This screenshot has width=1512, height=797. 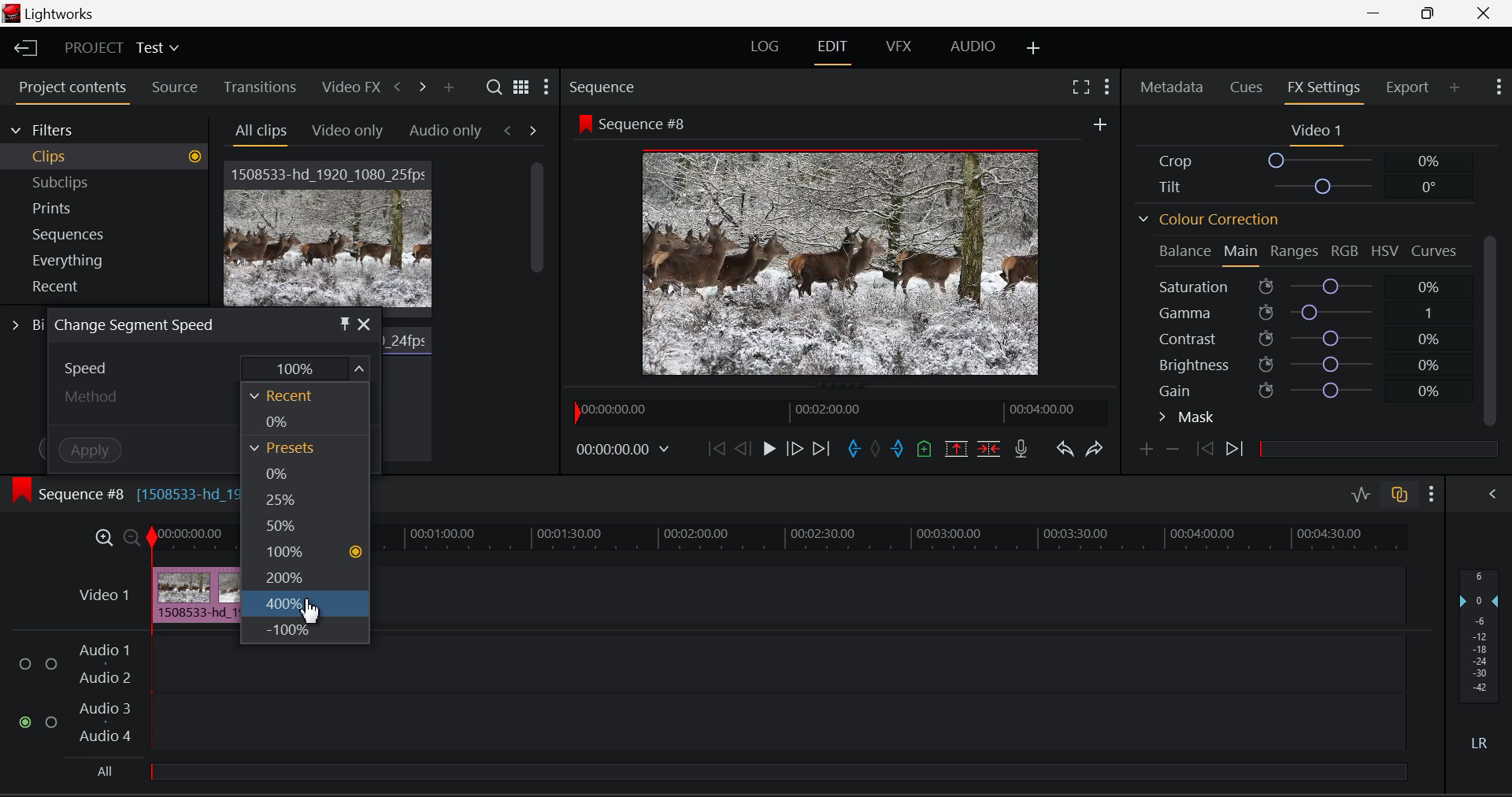 I want to click on Method, so click(x=96, y=396).